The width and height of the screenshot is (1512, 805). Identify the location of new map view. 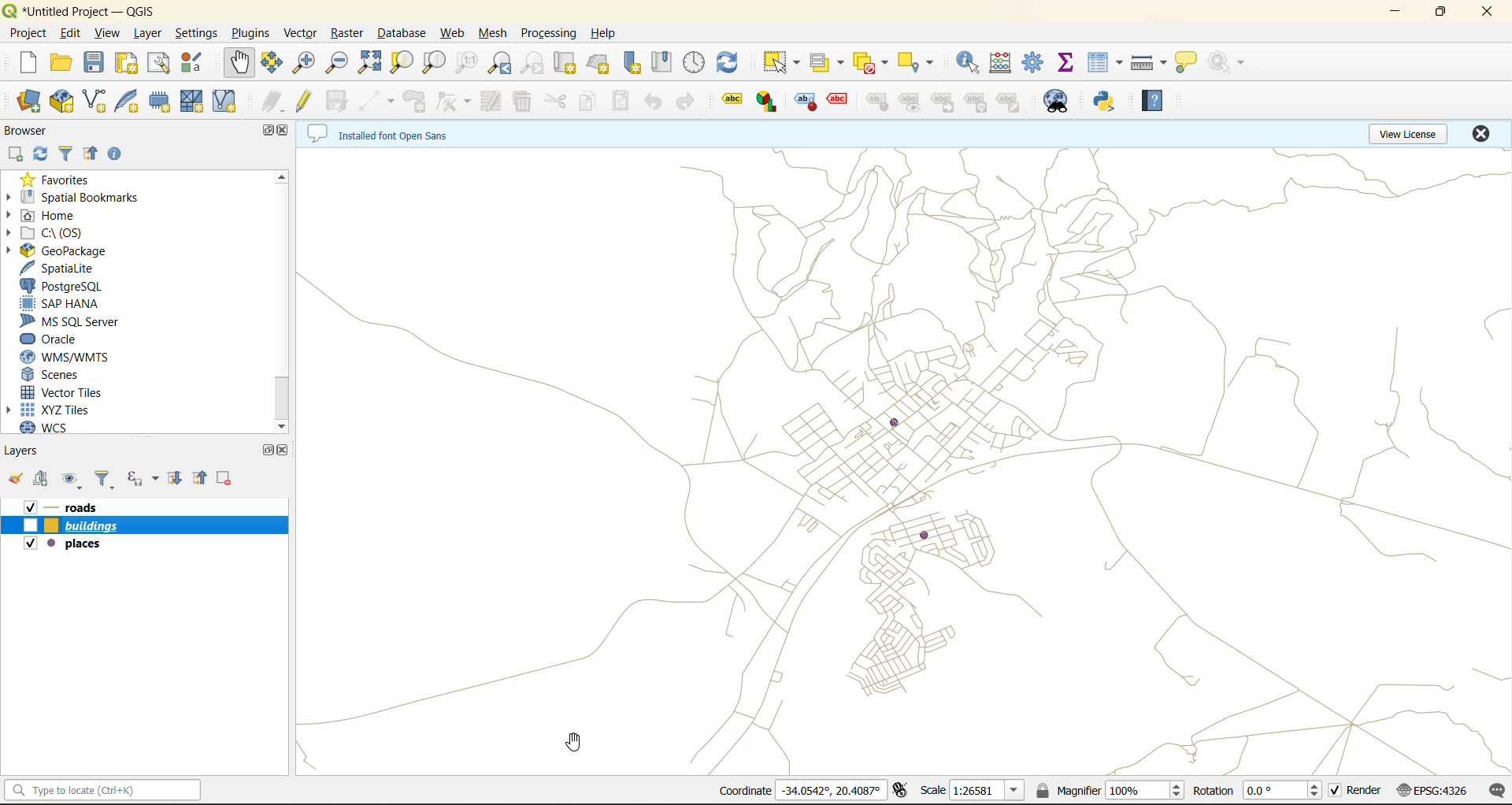
(566, 63).